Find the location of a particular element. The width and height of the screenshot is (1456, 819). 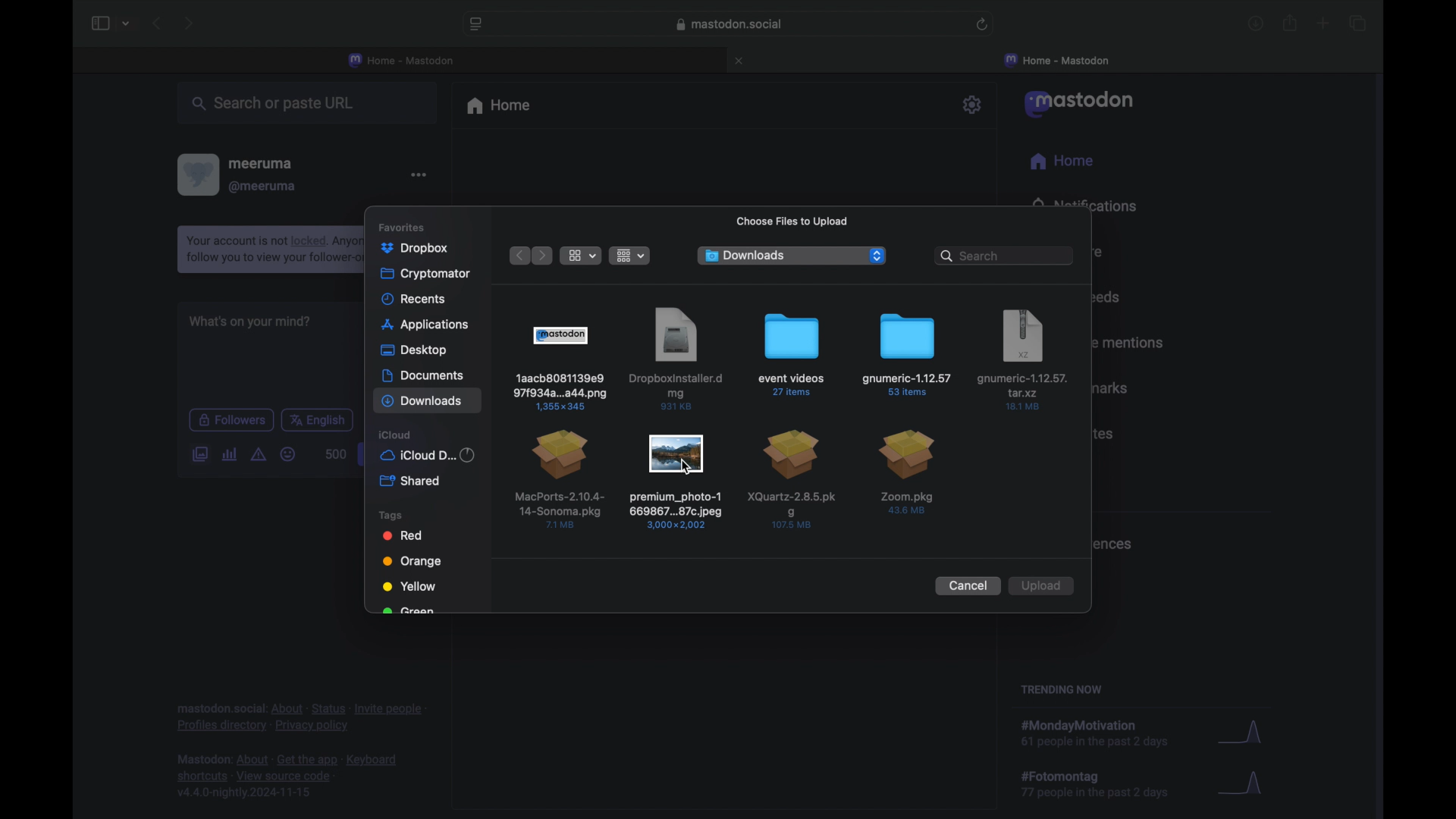

mastodon is located at coordinates (1081, 104).